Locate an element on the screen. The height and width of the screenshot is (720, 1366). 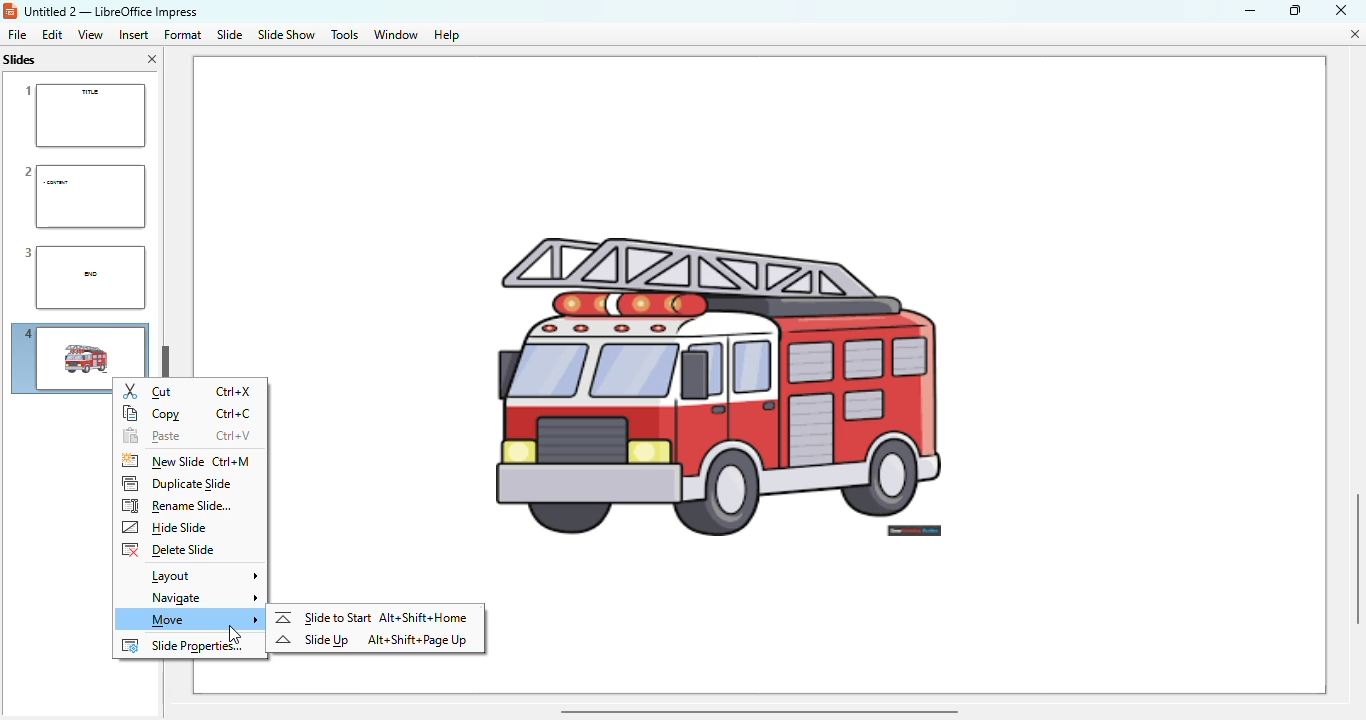
rename slide is located at coordinates (177, 506).